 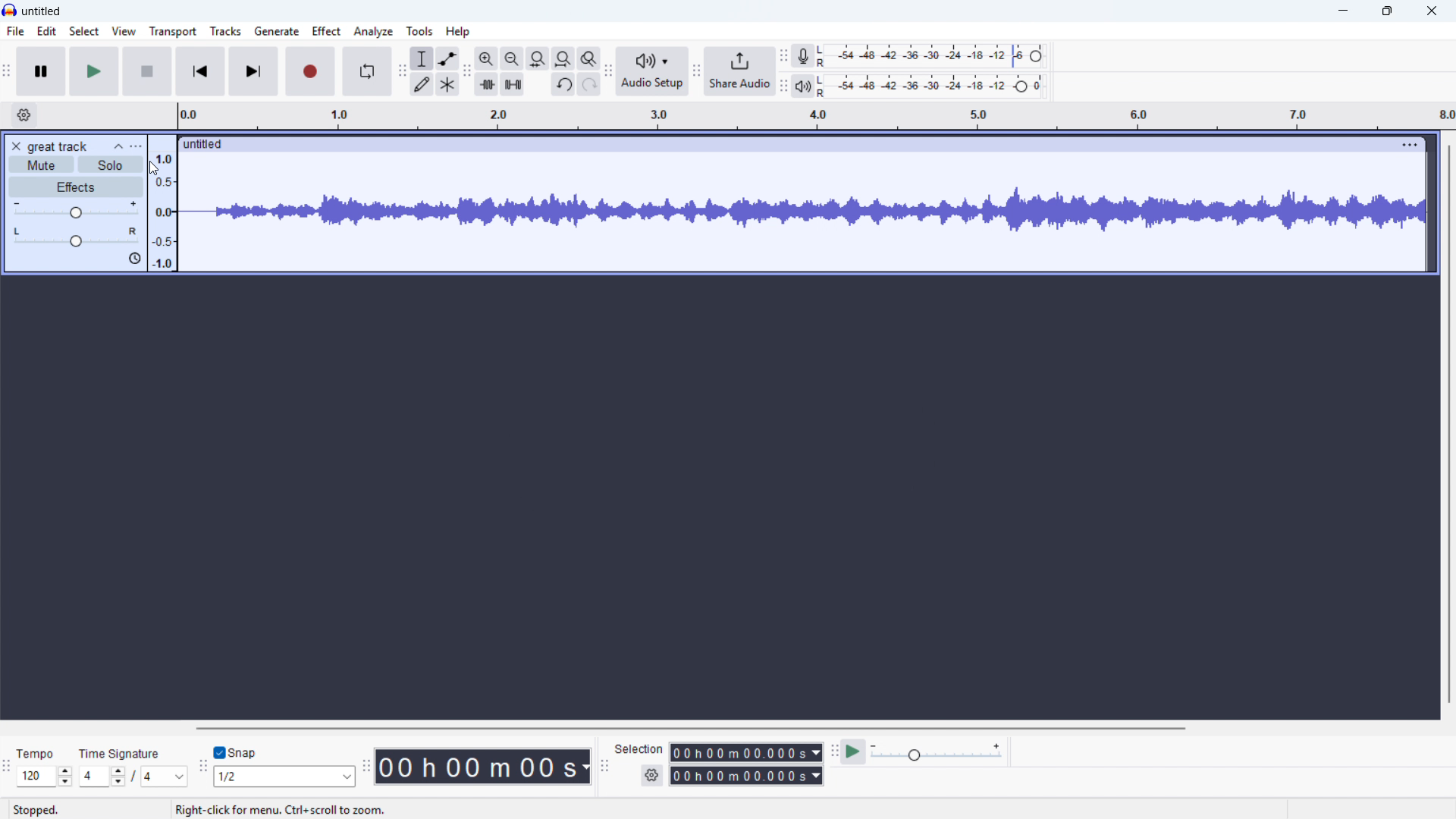 What do you see at coordinates (135, 259) in the screenshot?
I see `Sync lock on ` at bounding box center [135, 259].